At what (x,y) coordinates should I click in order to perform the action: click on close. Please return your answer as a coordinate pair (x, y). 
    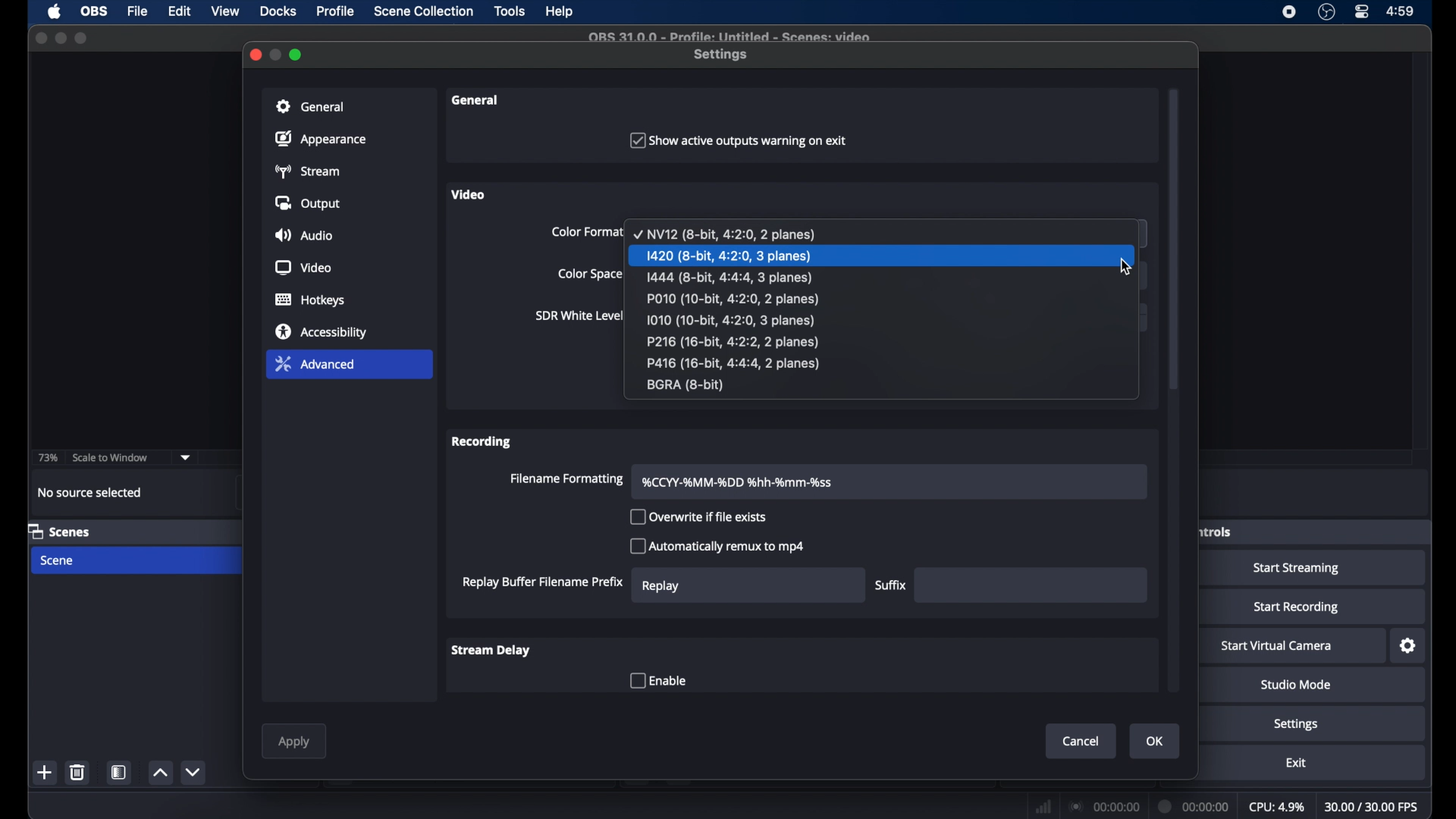
    Looking at the image, I should click on (40, 36).